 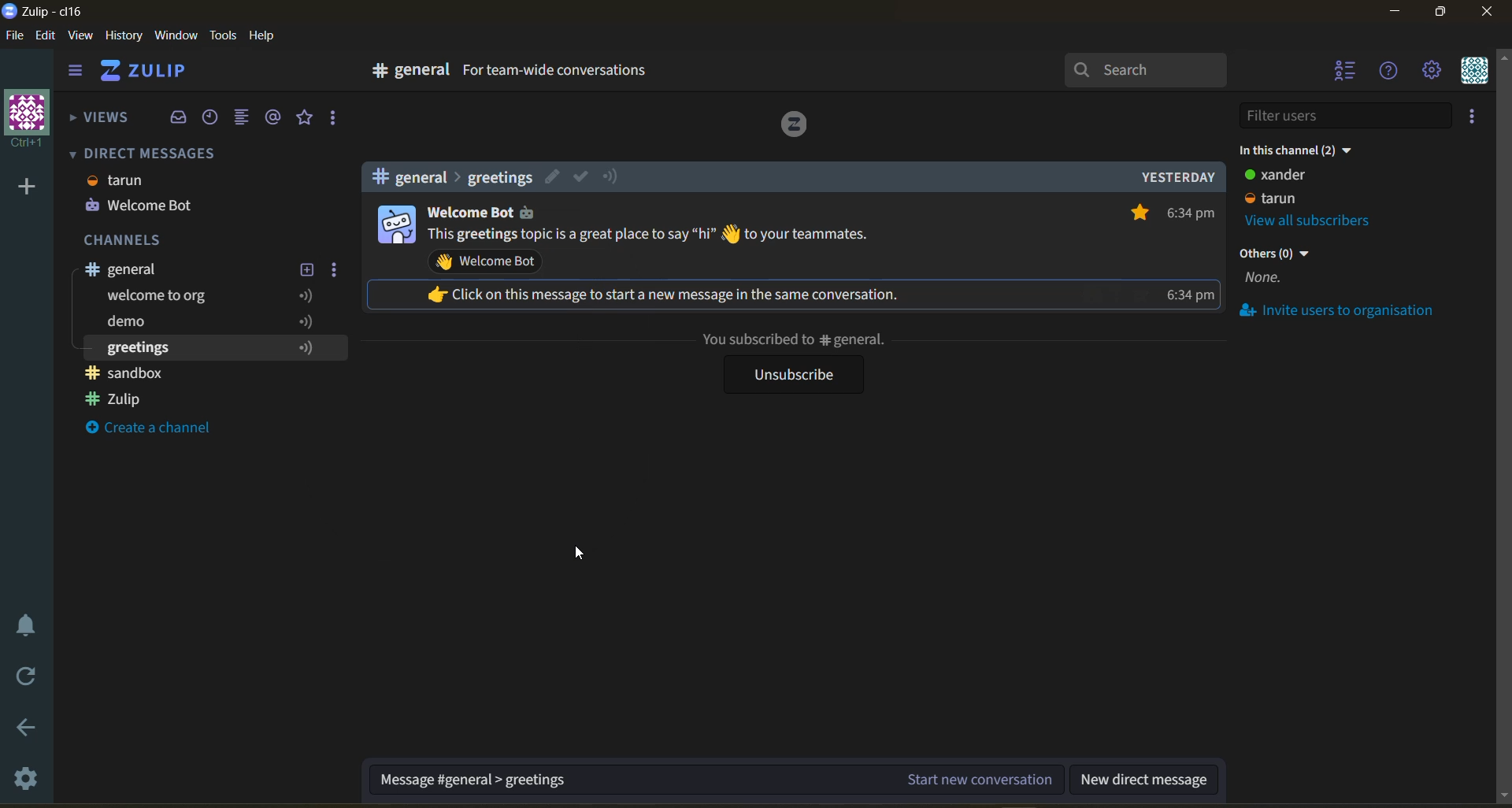 What do you see at coordinates (795, 127) in the screenshot?
I see `logo` at bounding box center [795, 127].